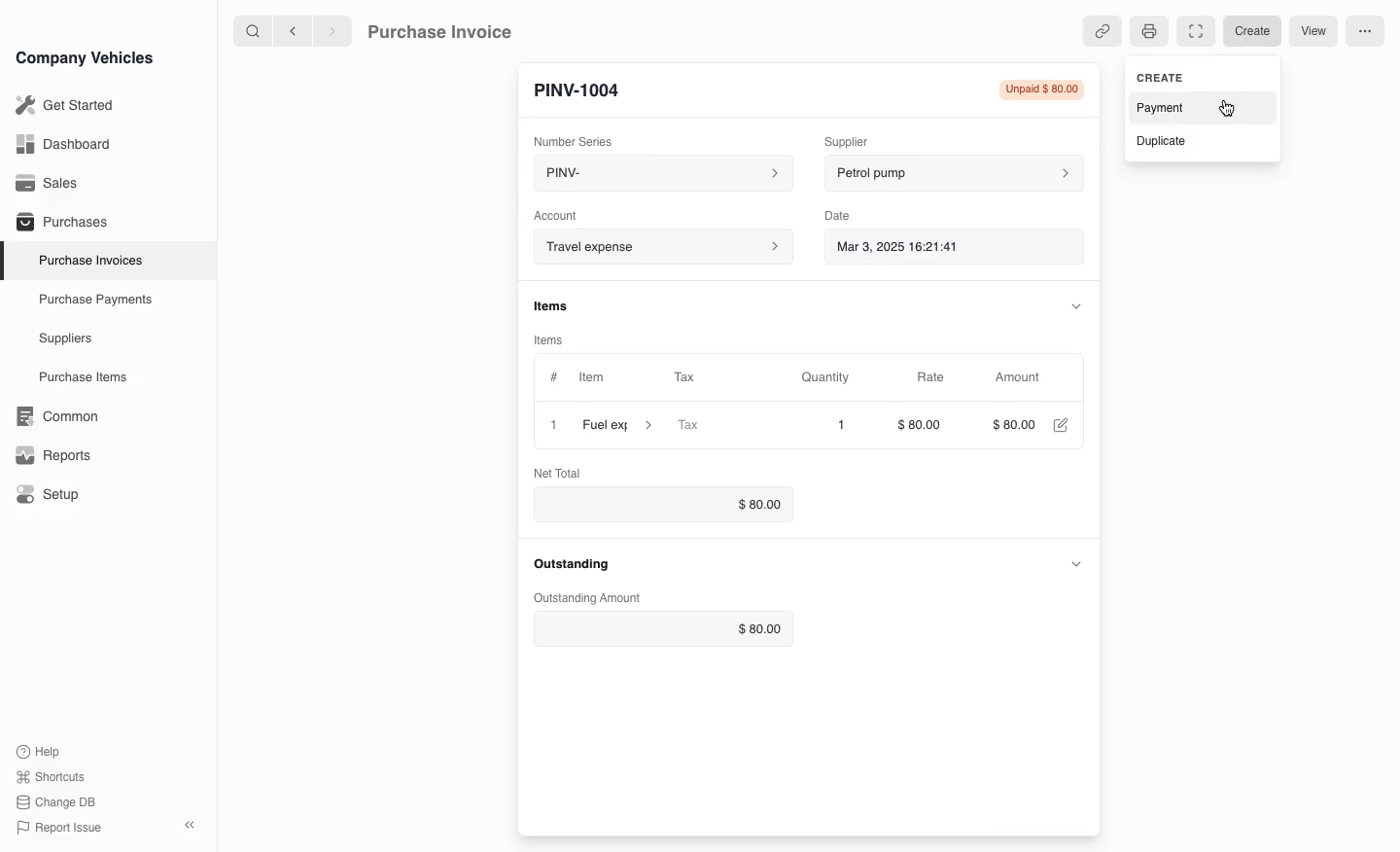 This screenshot has width=1400, height=852. I want to click on Duplicate, so click(1202, 139).